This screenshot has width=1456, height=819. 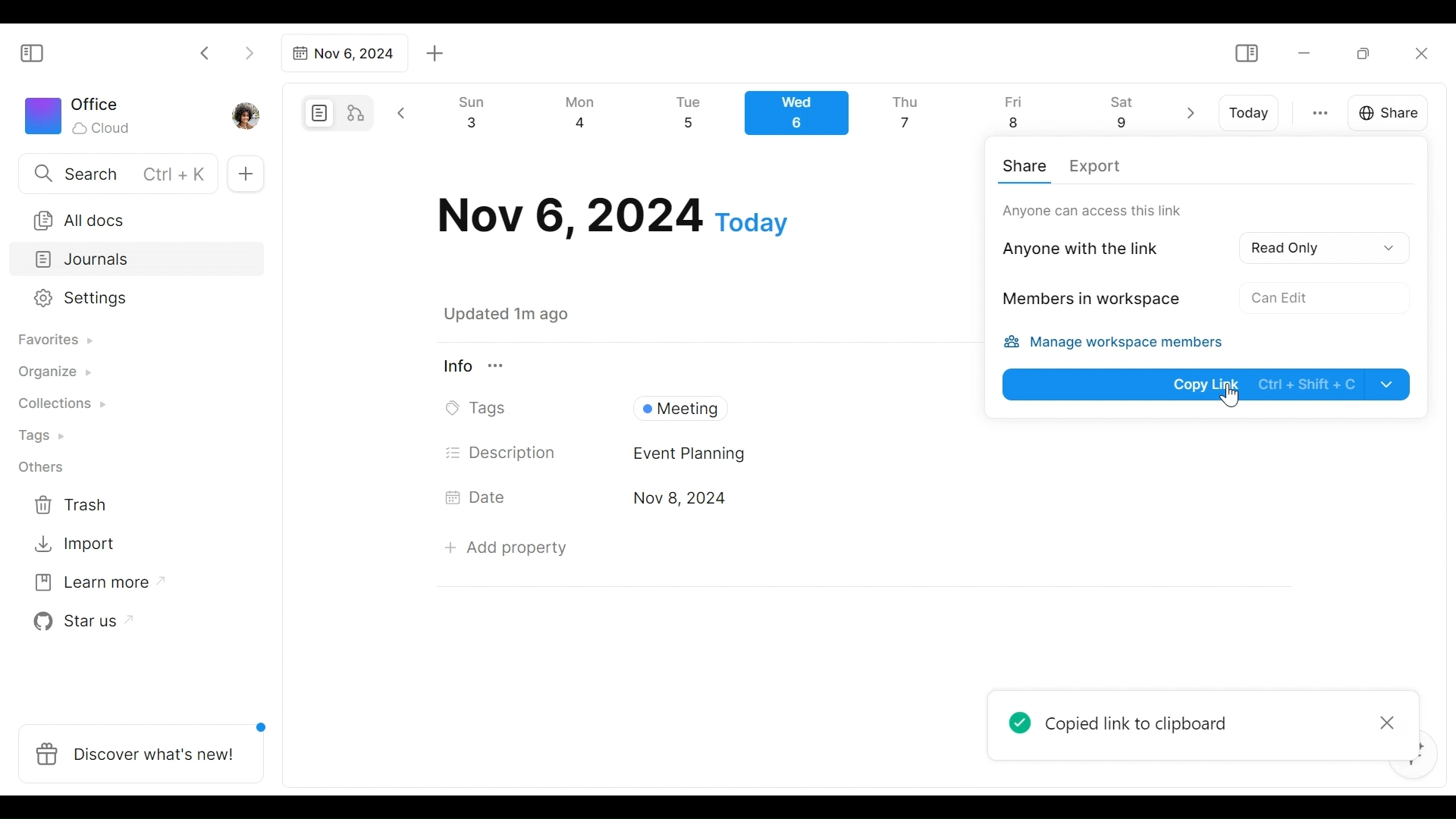 I want to click on Date, so click(x=481, y=497).